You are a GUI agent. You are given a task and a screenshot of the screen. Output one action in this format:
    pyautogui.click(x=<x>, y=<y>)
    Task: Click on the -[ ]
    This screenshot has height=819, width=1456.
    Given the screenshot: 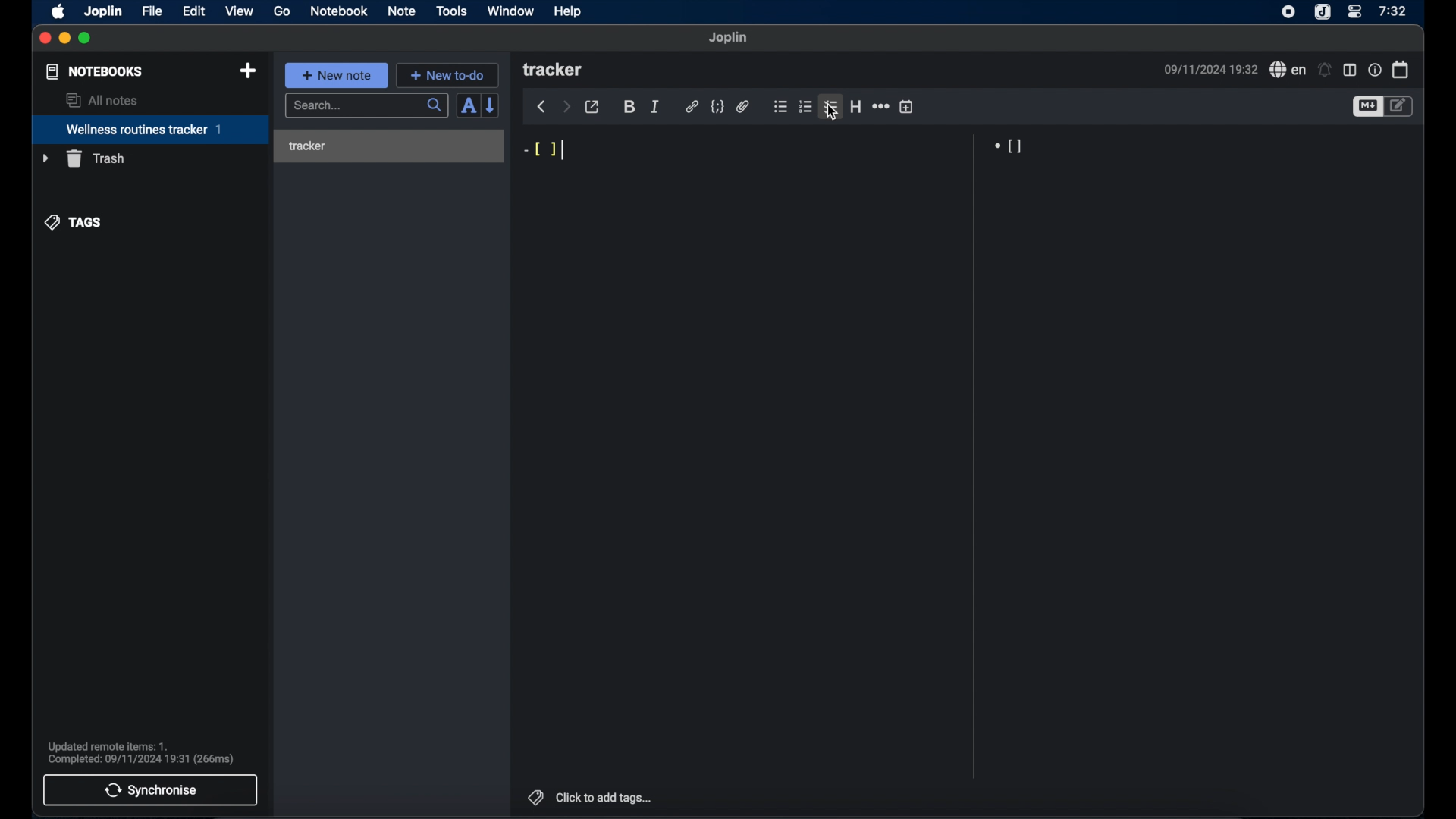 What is the action you would take?
    pyautogui.click(x=556, y=149)
    